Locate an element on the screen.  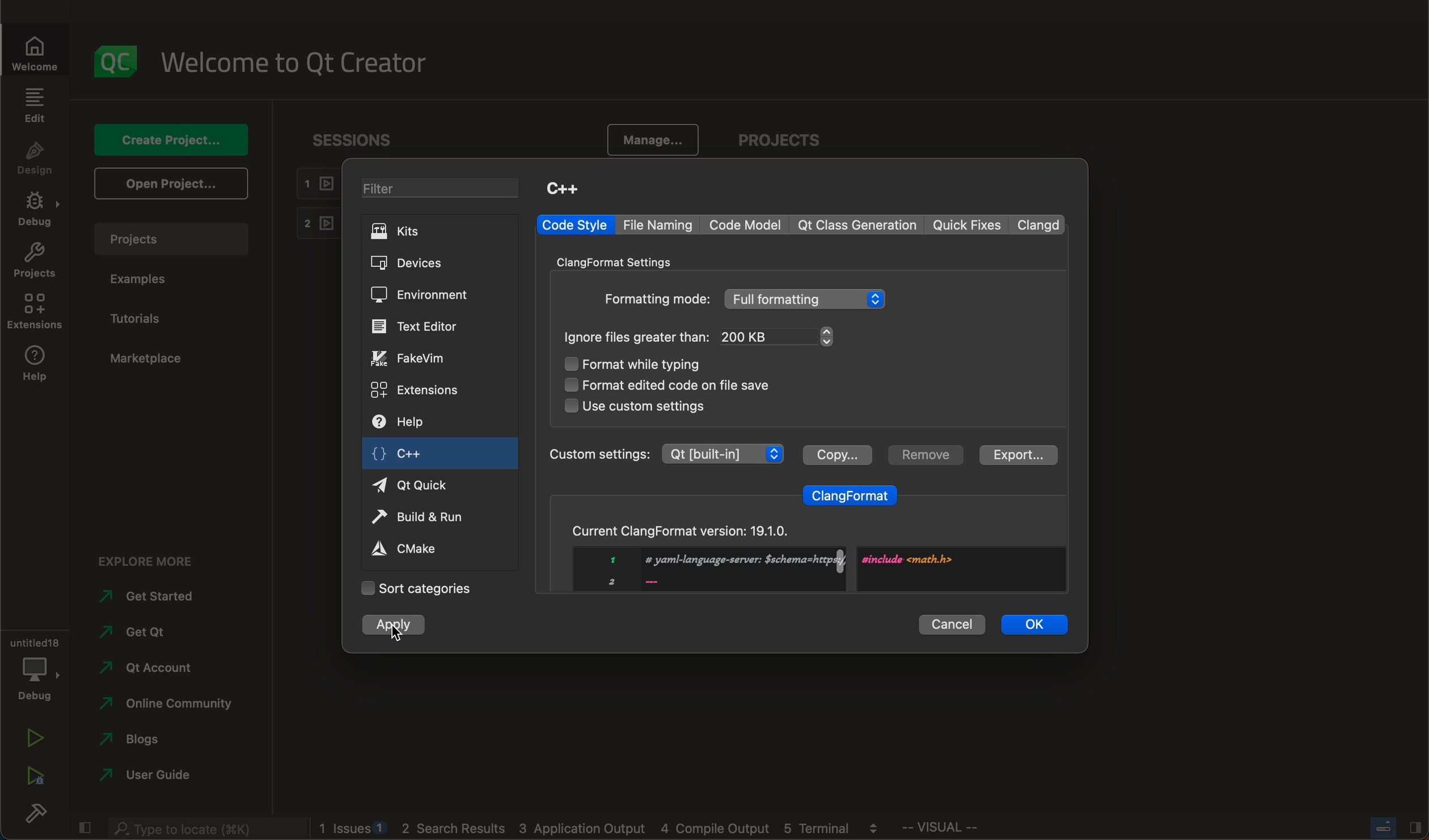
copy is located at coordinates (836, 453).